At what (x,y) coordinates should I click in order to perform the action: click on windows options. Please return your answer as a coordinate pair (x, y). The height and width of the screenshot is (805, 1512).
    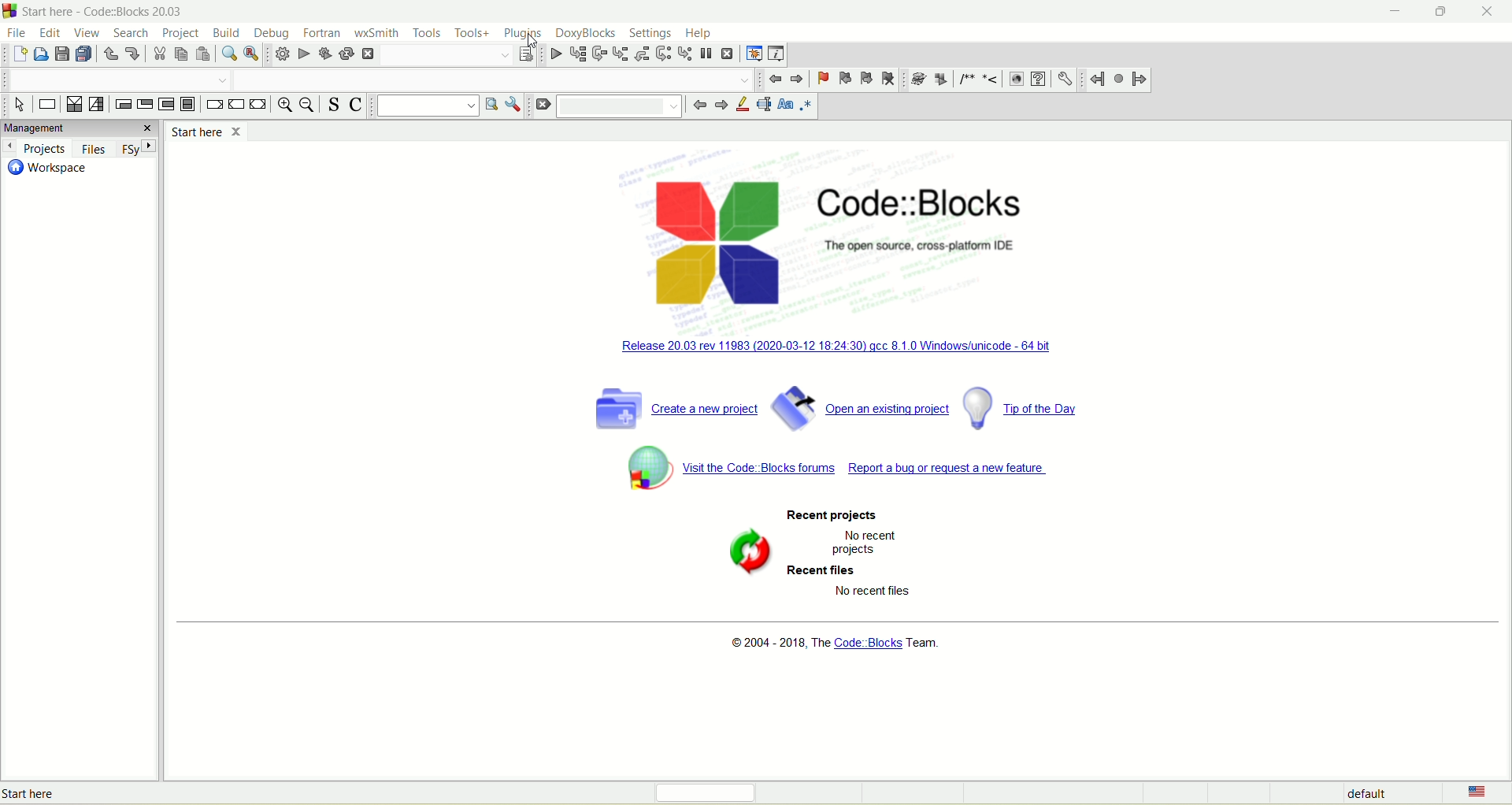
    Looking at the image, I should click on (513, 107).